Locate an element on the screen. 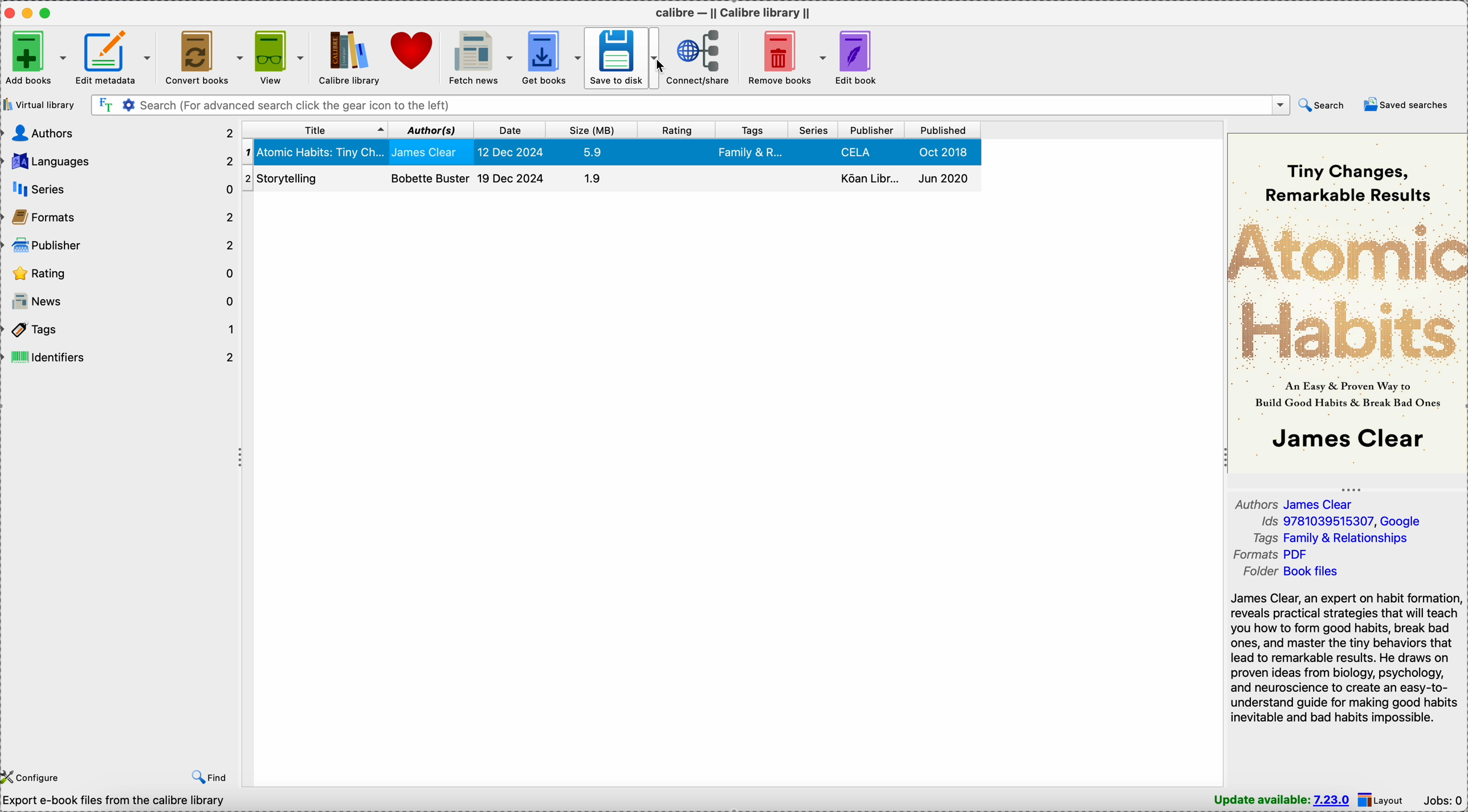  Calibre - || Calibre library || is located at coordinates (737, 12).